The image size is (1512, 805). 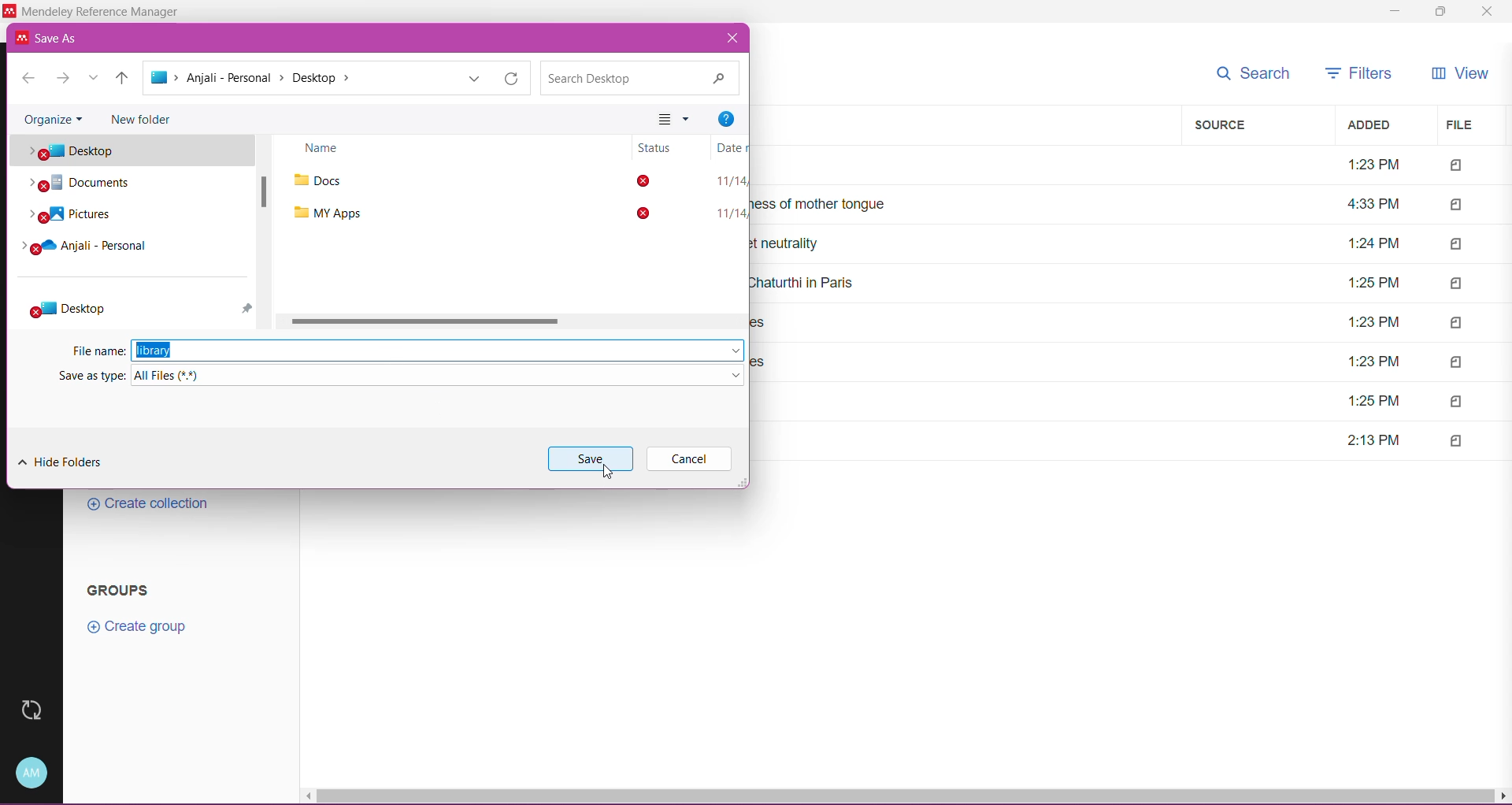 What do you see at coordinates (142, 118) in the screenshot?
I see `New Folder` at bounding box center [142, 118].